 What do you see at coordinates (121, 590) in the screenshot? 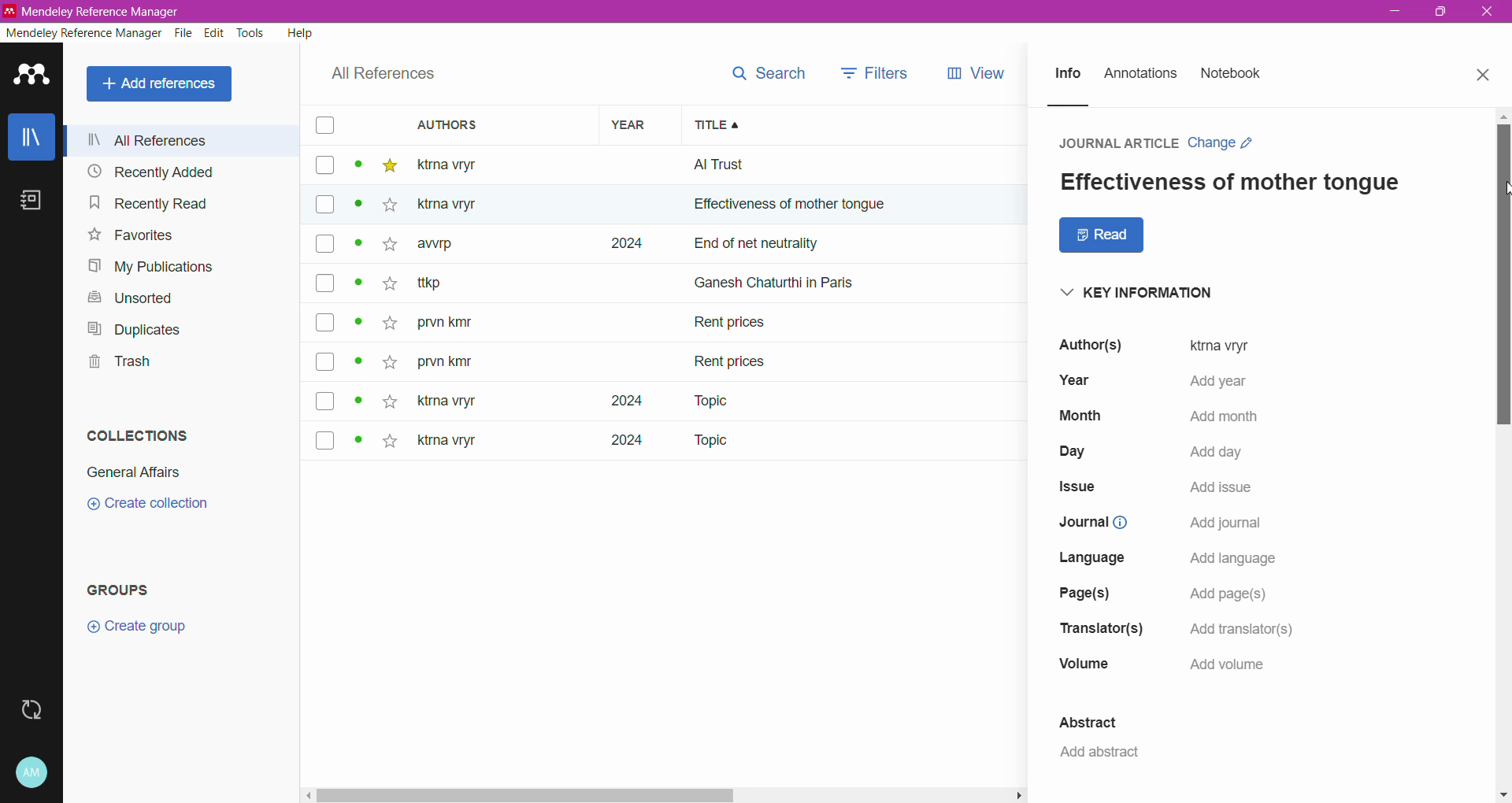
I see `Groups` at bounding box center [121, 590].